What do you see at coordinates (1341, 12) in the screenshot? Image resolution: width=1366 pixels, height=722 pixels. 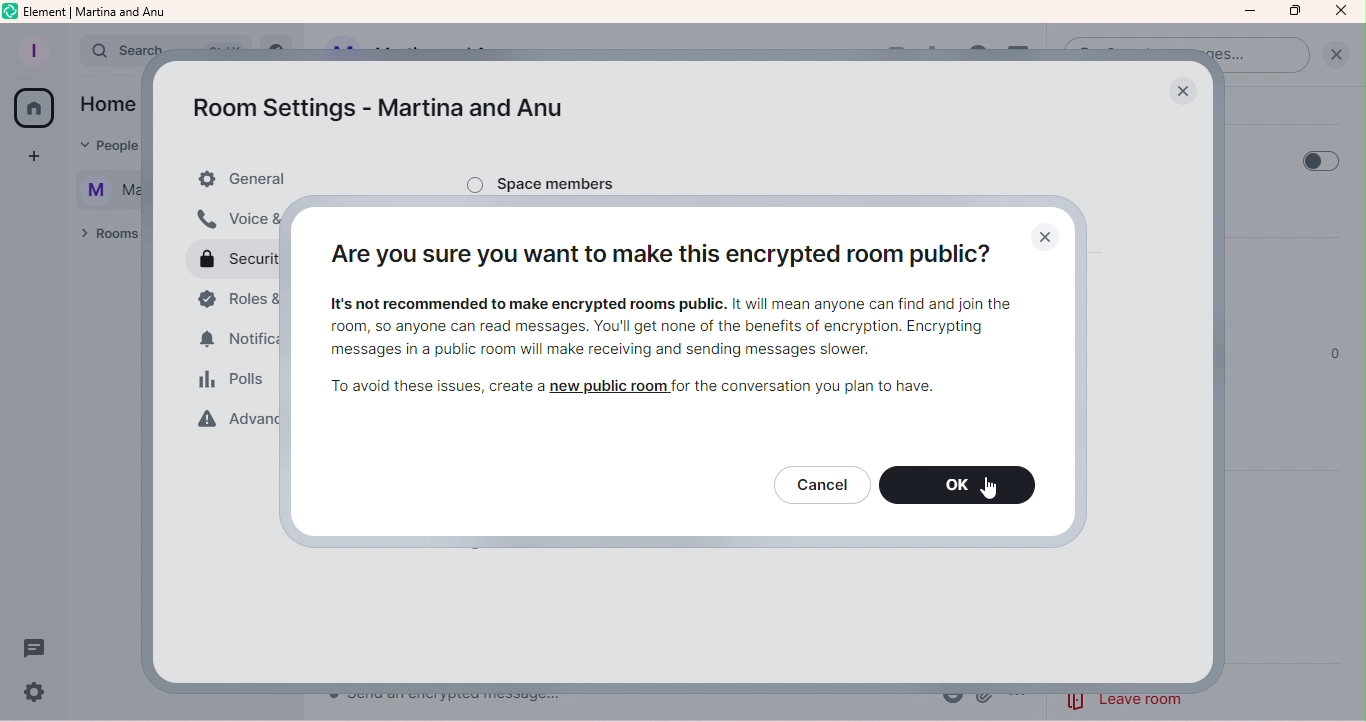 I see `Close icon` at bounding box center [1341, 12].